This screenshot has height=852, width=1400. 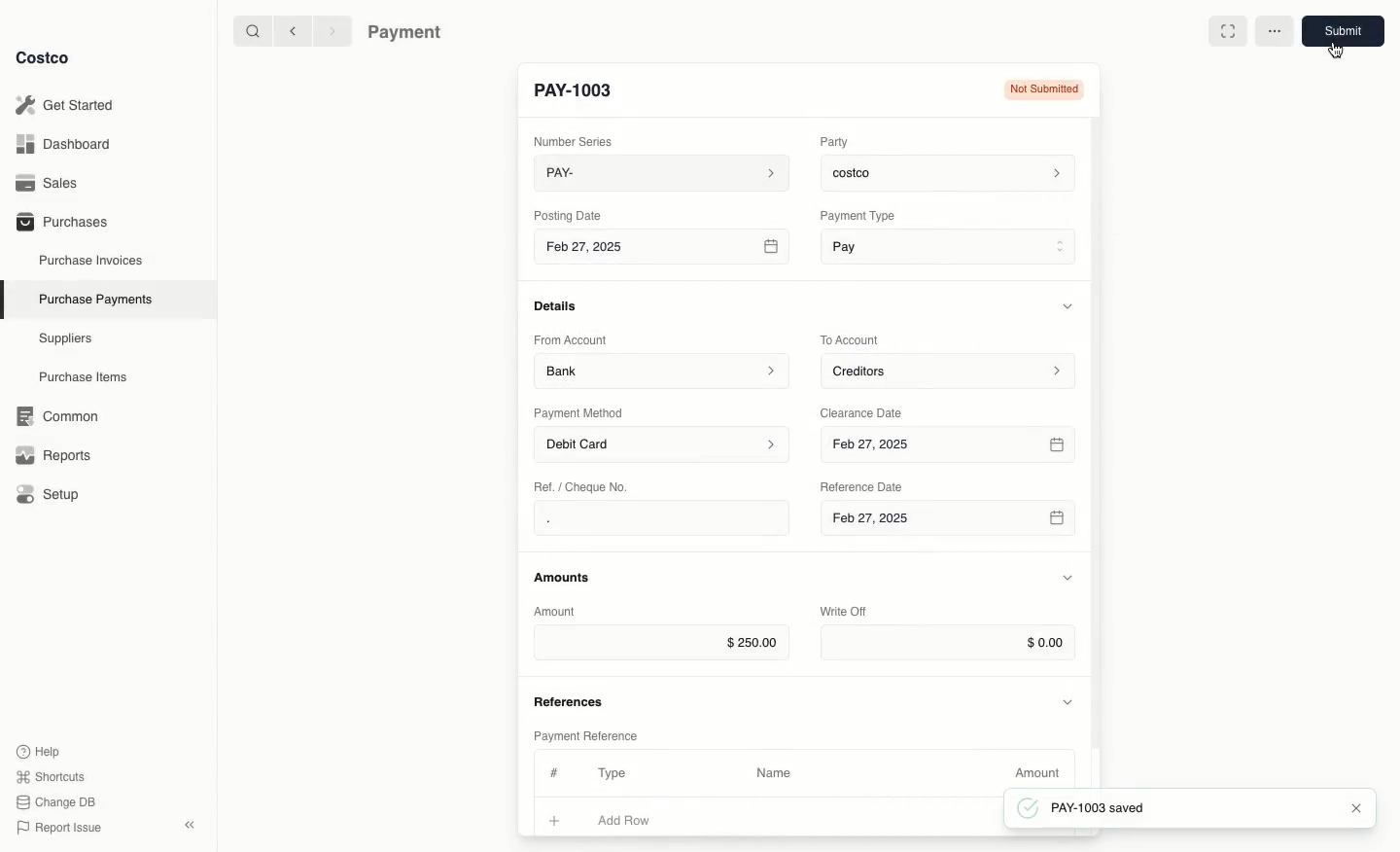 What do you see at coordinates (951, 370) in the screenshot?
I see `Creditors` at bounding box center [951, 370].